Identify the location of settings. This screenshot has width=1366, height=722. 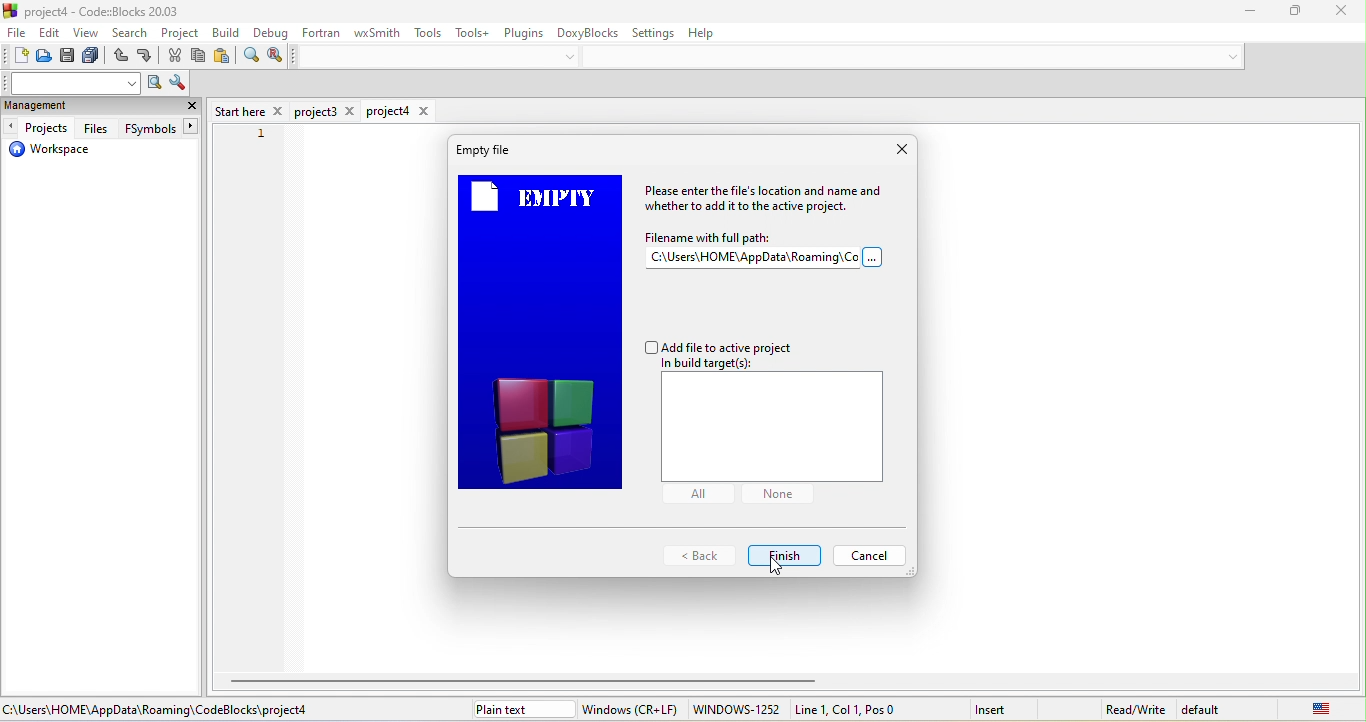
(656, 32).